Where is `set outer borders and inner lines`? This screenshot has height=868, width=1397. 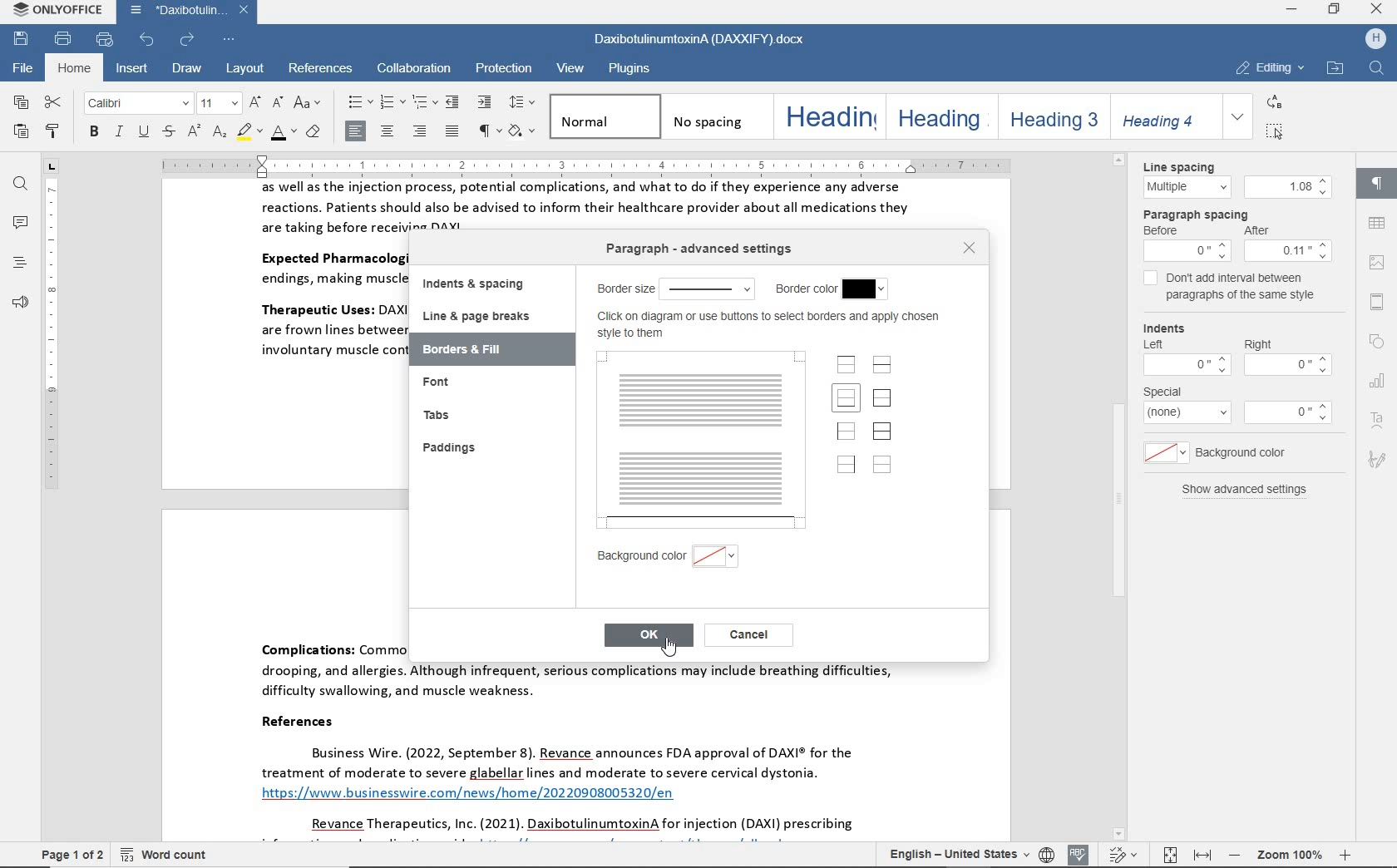 set outer borders and inner lines is located at coordinates (884, 429).